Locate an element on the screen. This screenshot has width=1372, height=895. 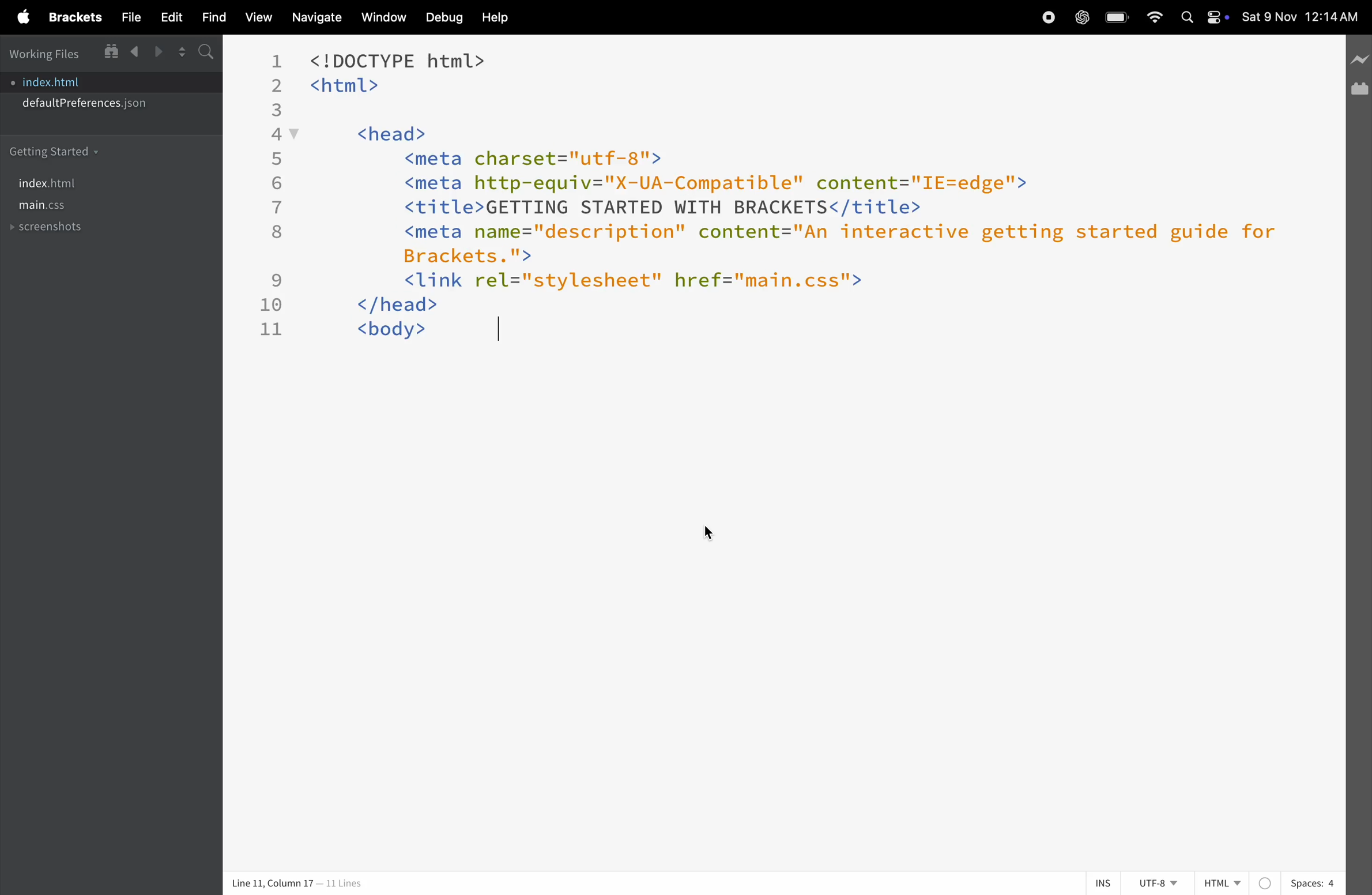
navigate is located at coordinates (318, 18).